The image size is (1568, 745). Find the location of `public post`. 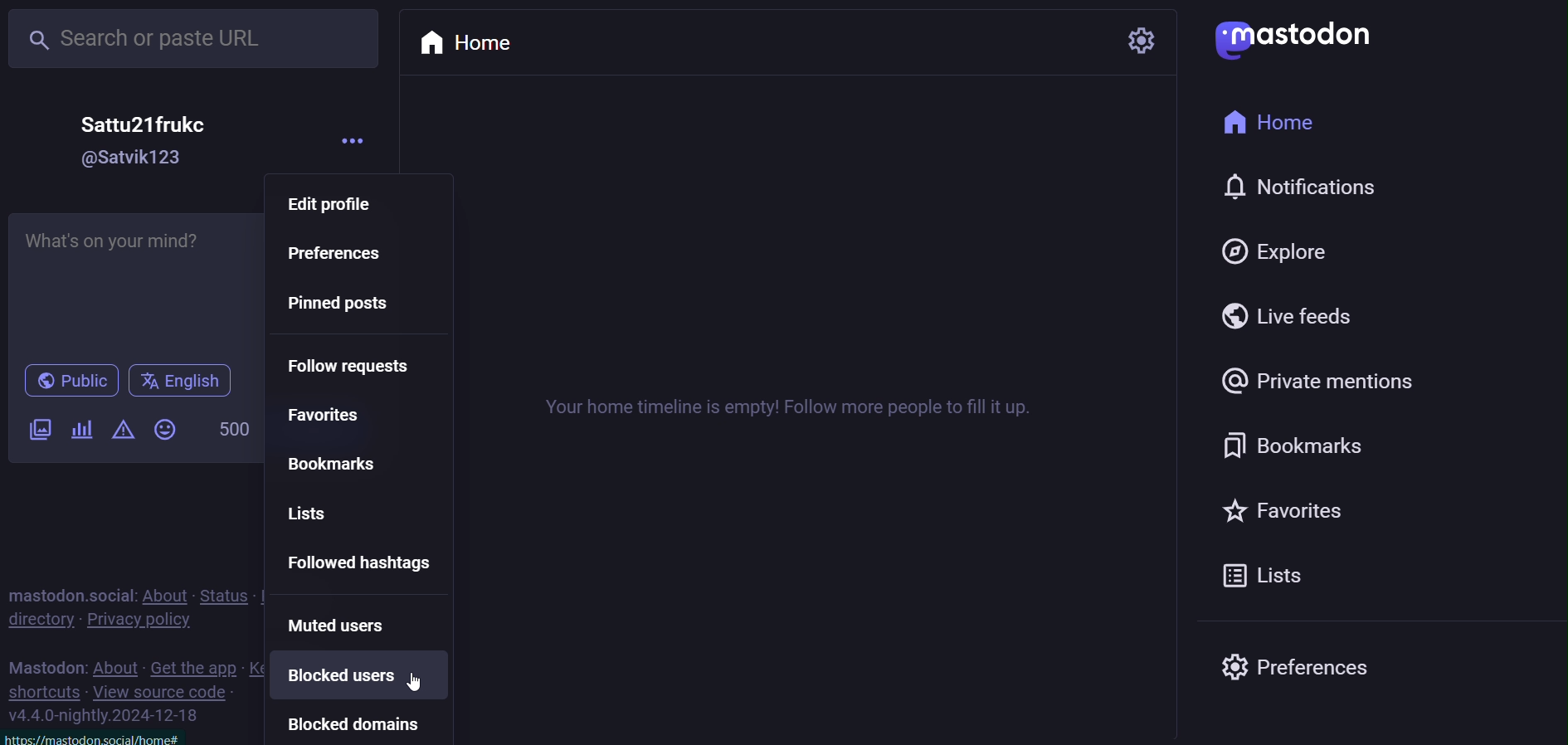

public post is located at coordinates (67, 380).